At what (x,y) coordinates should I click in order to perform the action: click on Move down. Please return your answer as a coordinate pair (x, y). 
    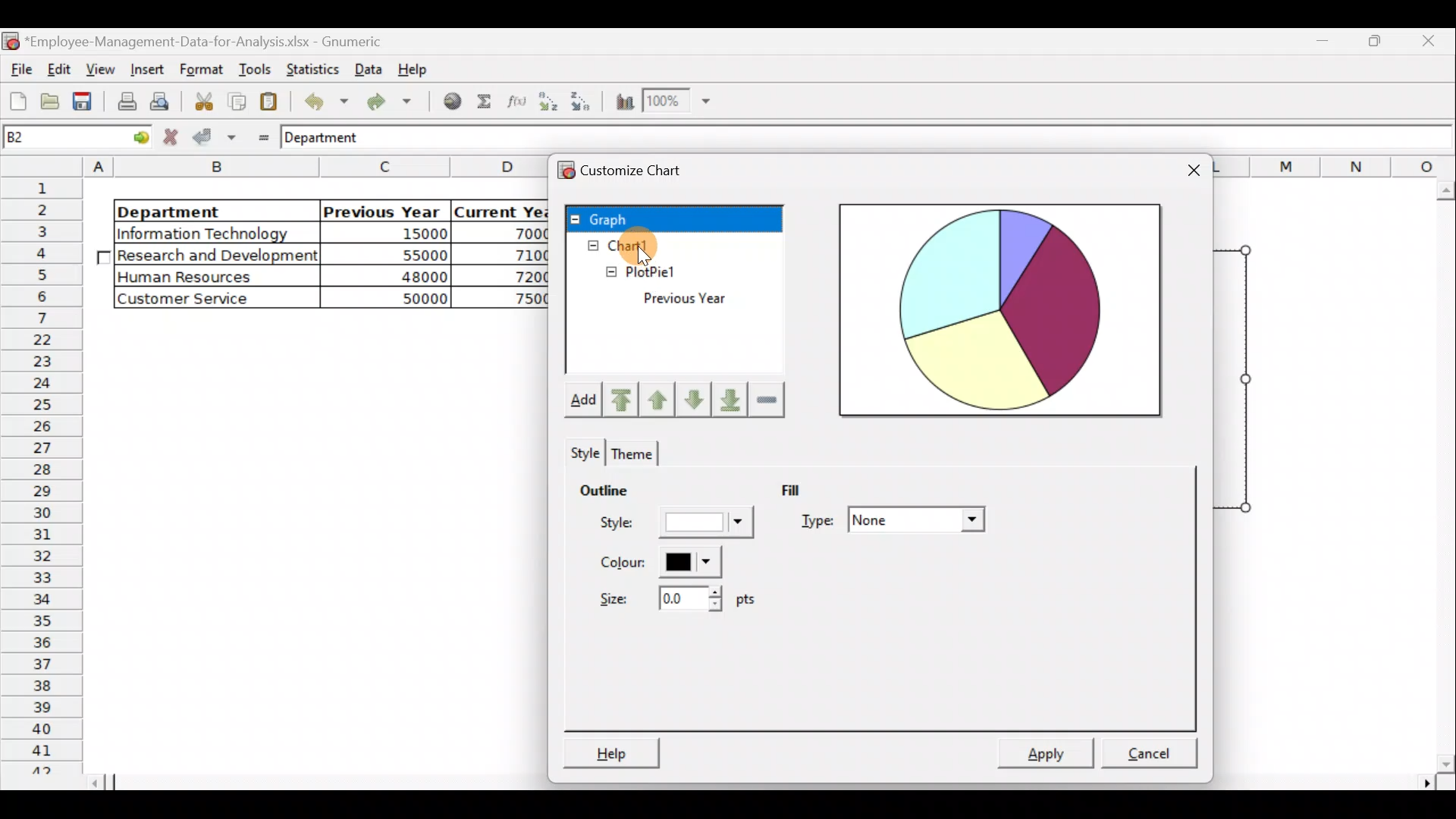
    Looking at the image, I should click on (698, 402).